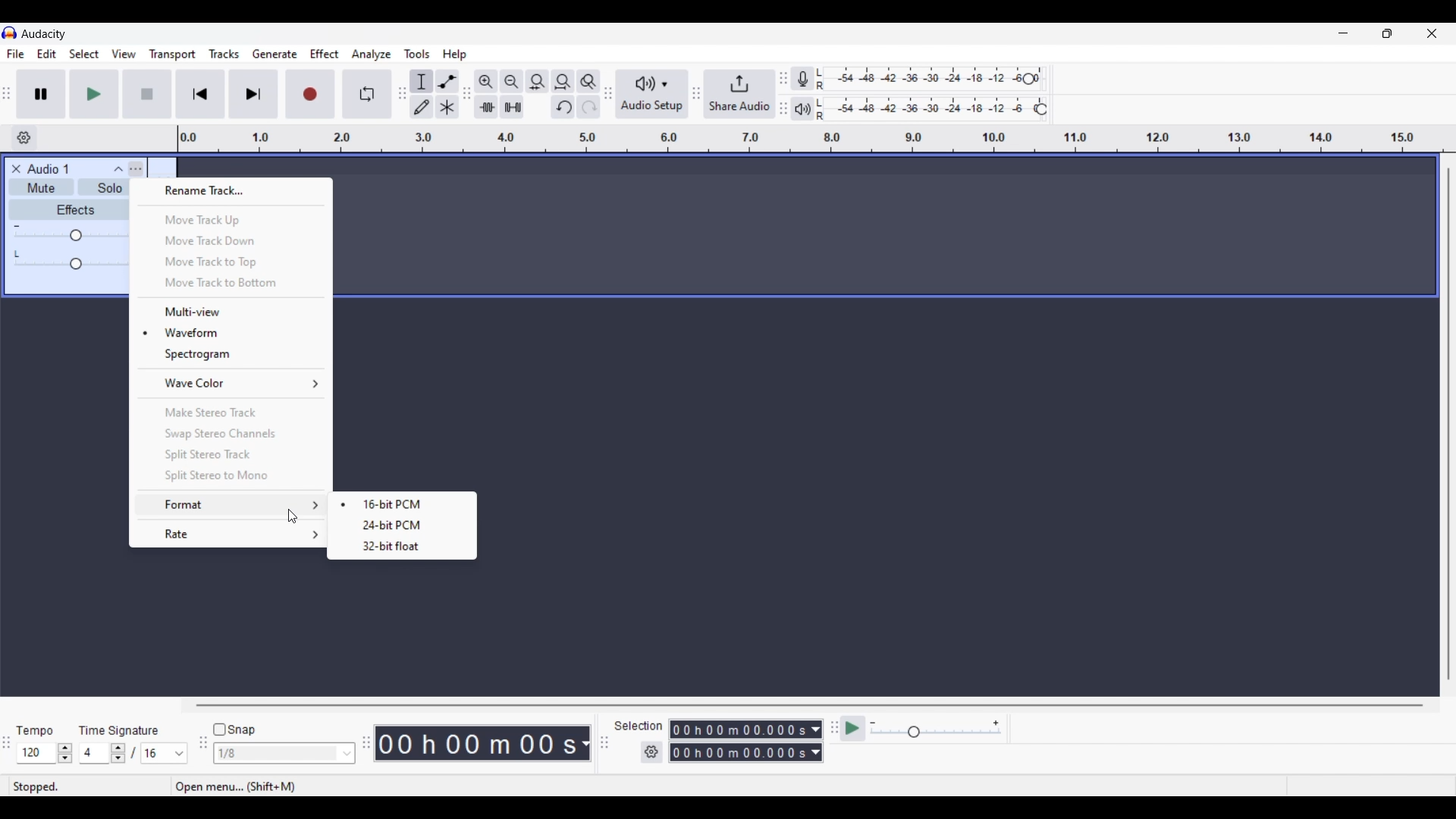  What do you see at coordinates (1432, 33) in the screenshot?
I see `Close interface` at bounding box center [1432, 33].